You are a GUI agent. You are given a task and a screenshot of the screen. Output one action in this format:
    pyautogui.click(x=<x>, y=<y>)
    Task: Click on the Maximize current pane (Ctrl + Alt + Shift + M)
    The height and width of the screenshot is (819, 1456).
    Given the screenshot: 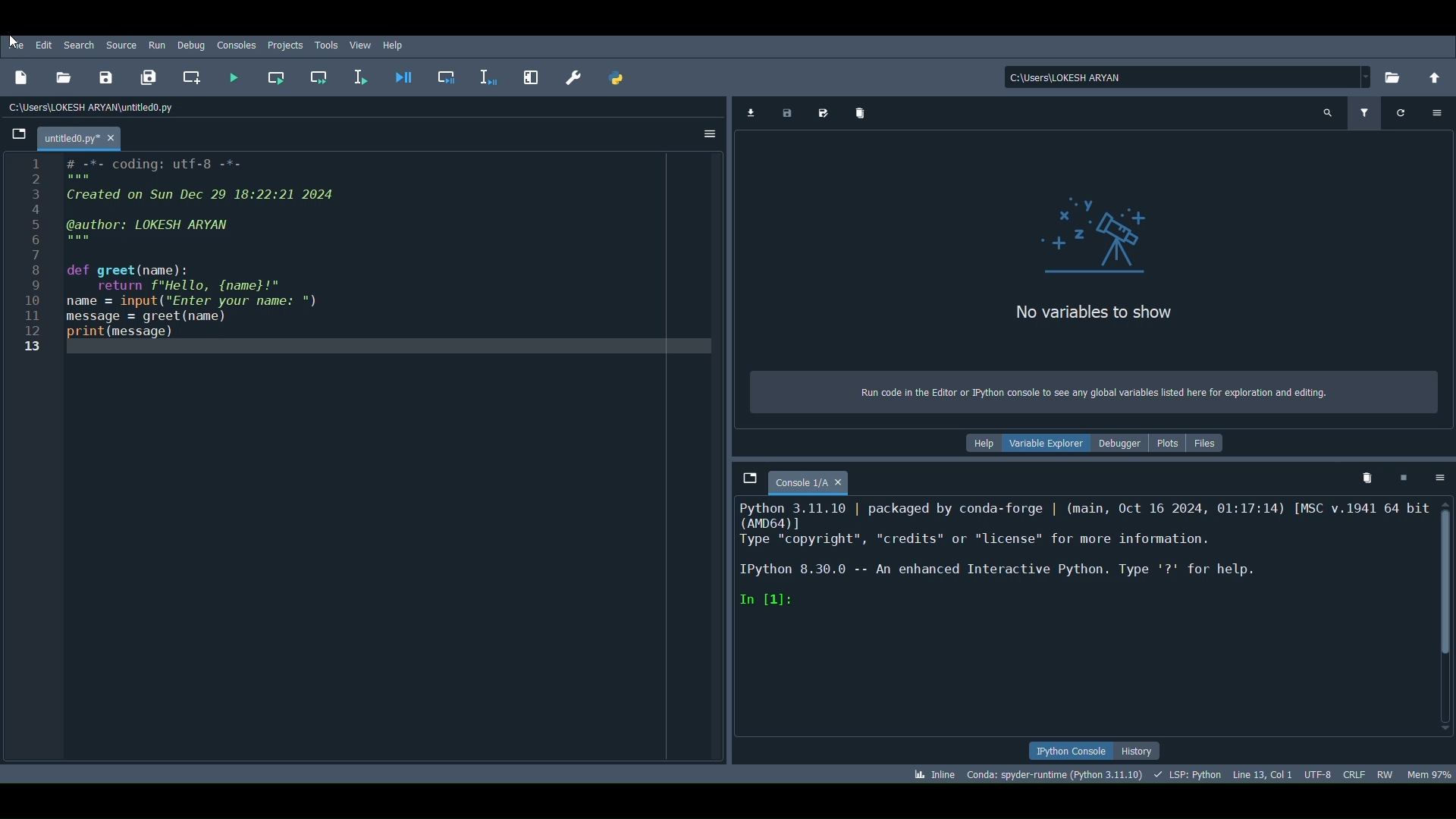 What is the action you would take?
    pyautogui.click(x=528, y=75)
    